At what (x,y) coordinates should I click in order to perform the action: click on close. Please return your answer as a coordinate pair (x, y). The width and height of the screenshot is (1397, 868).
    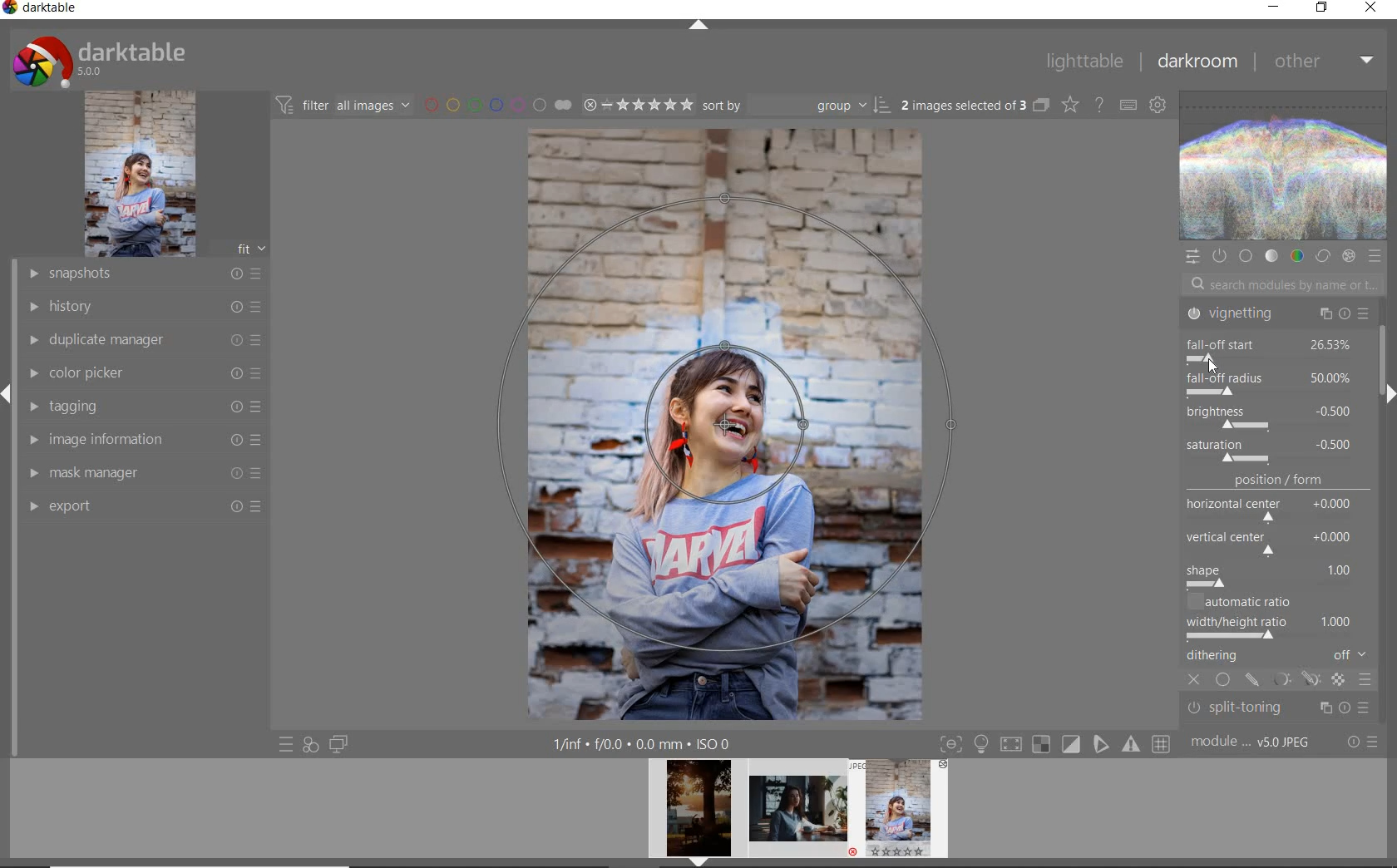
    Looking at the image, I should click on (1196, 681).